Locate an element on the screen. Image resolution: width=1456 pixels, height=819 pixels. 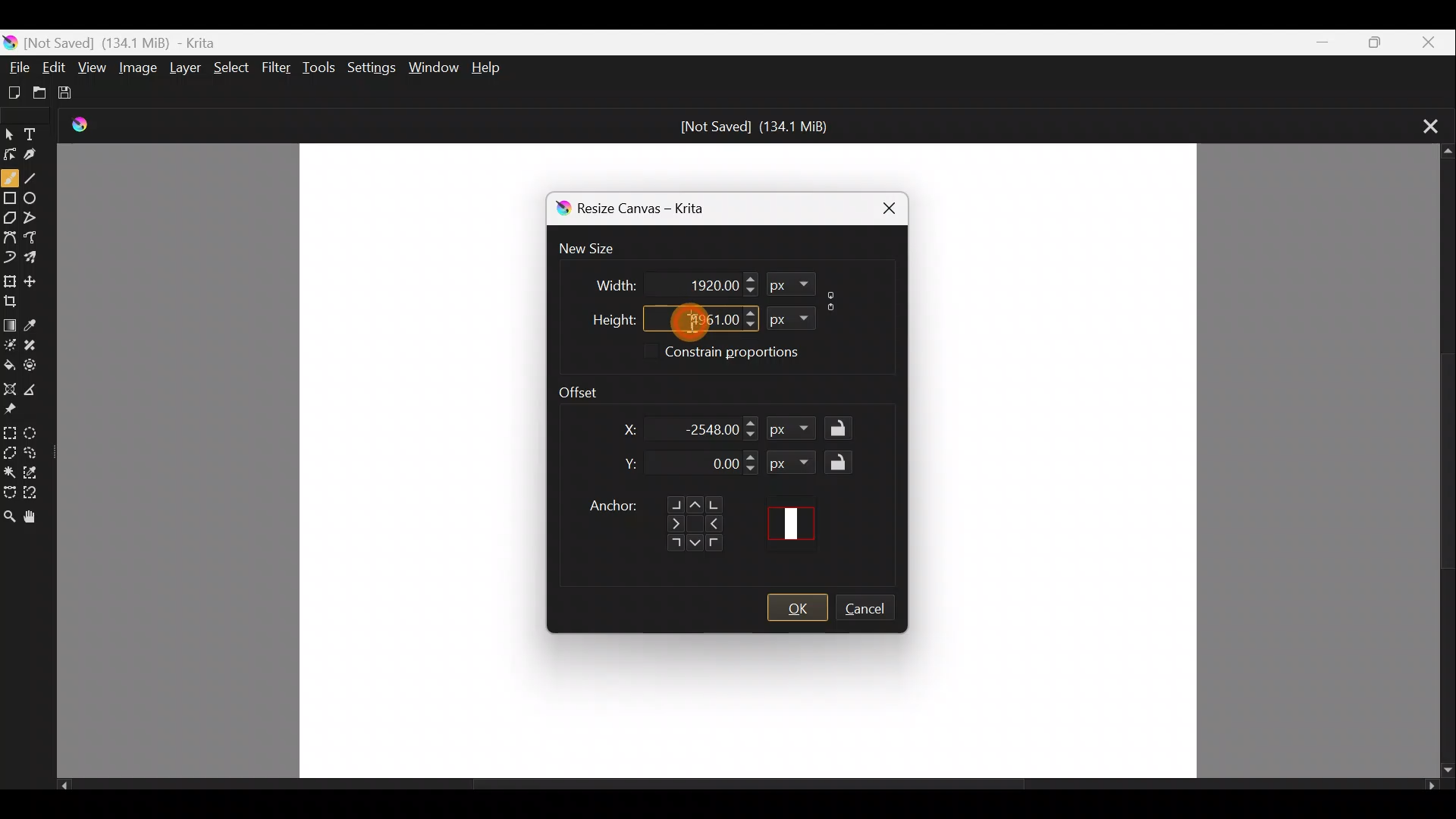
Rectangular selection tool is located at coordinates (12, 432).